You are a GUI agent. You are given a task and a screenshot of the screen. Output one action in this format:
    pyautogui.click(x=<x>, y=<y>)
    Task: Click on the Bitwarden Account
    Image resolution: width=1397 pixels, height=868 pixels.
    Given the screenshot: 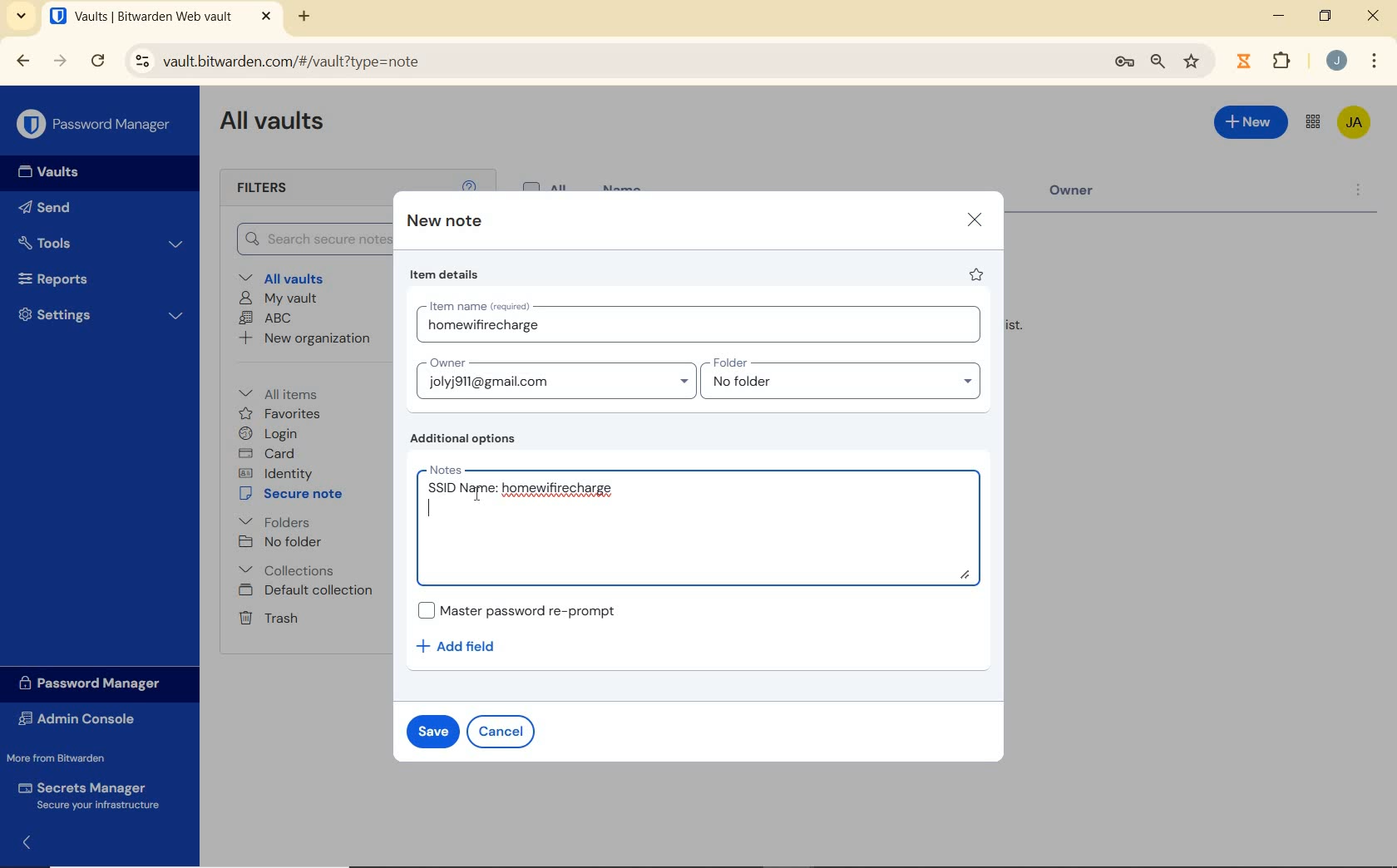 What is the action you would take?
    pyautogui.click(x=1355, y=124)
    